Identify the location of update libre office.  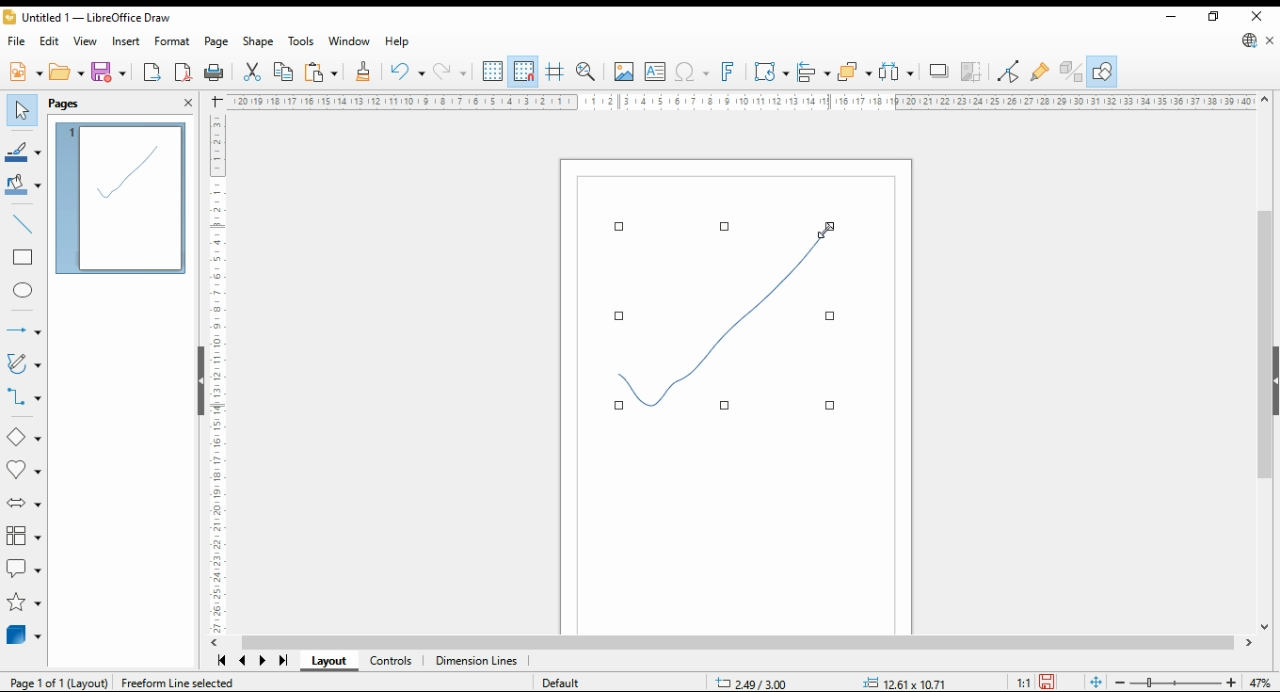
(1248, 40).